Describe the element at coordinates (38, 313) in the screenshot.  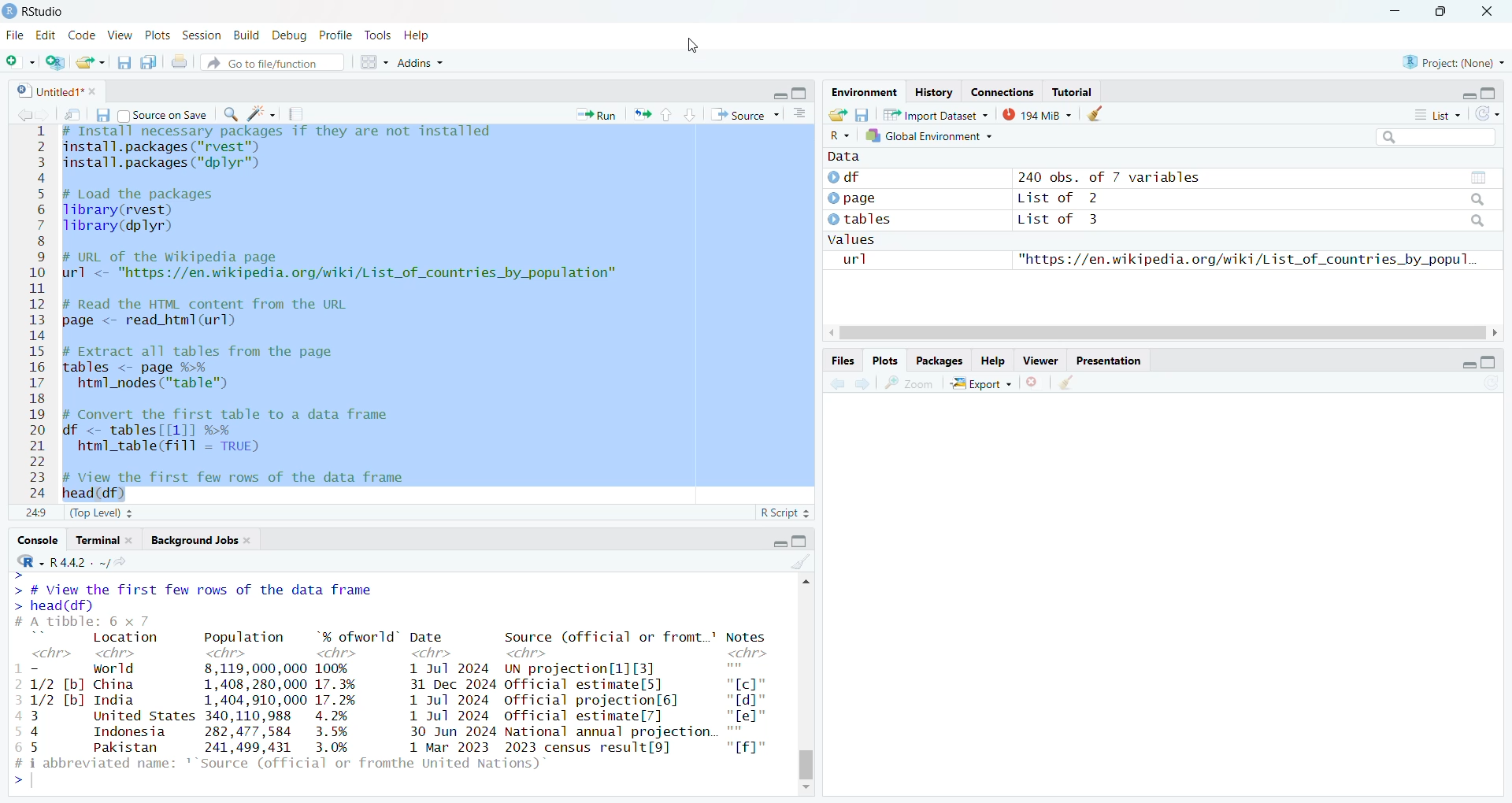
I see `line numbering` at that location.